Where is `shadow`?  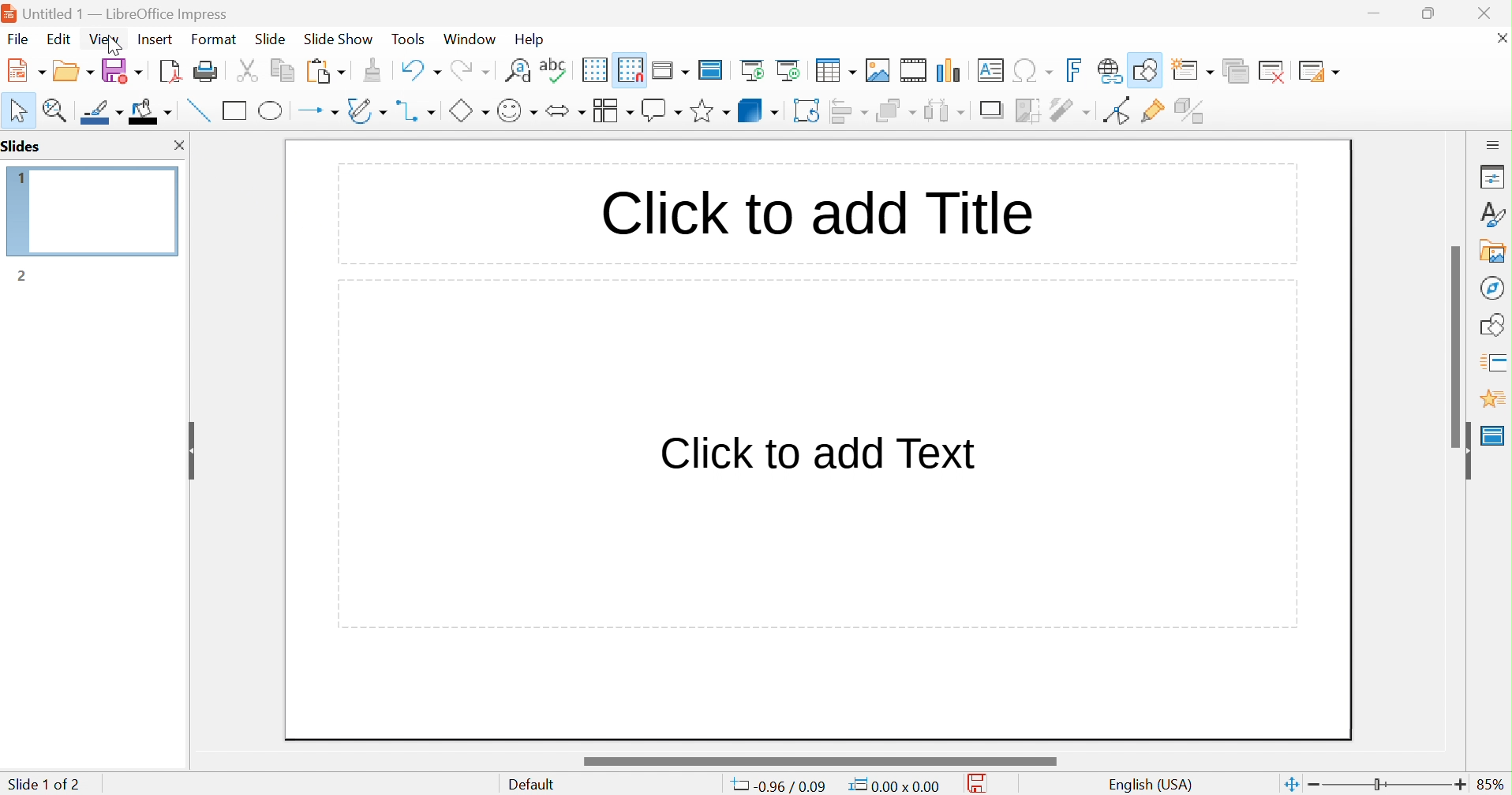
shadow is located at coordinates (994, 111).